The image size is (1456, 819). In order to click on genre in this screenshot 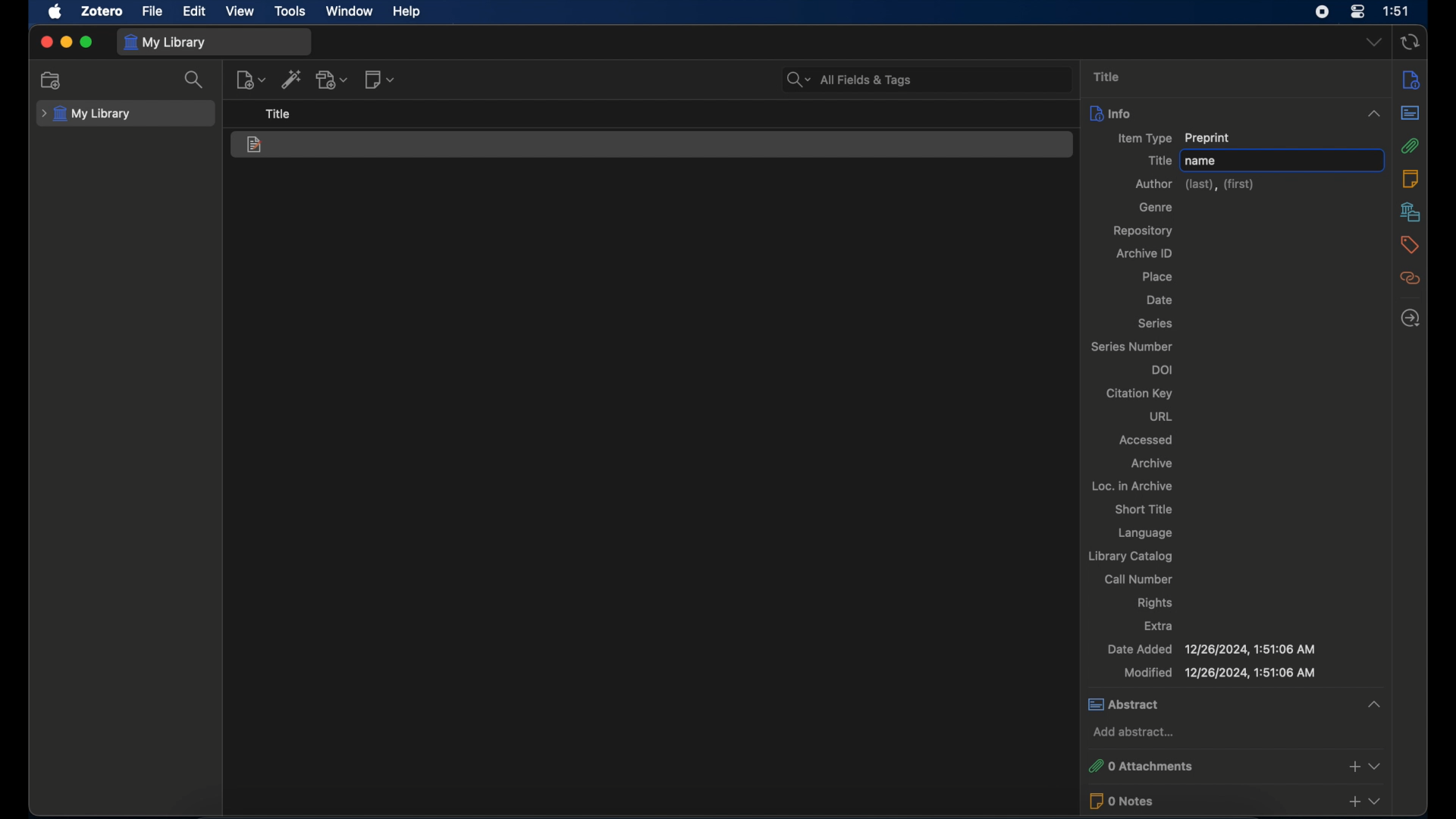, I will do `click(1155, 207)`.